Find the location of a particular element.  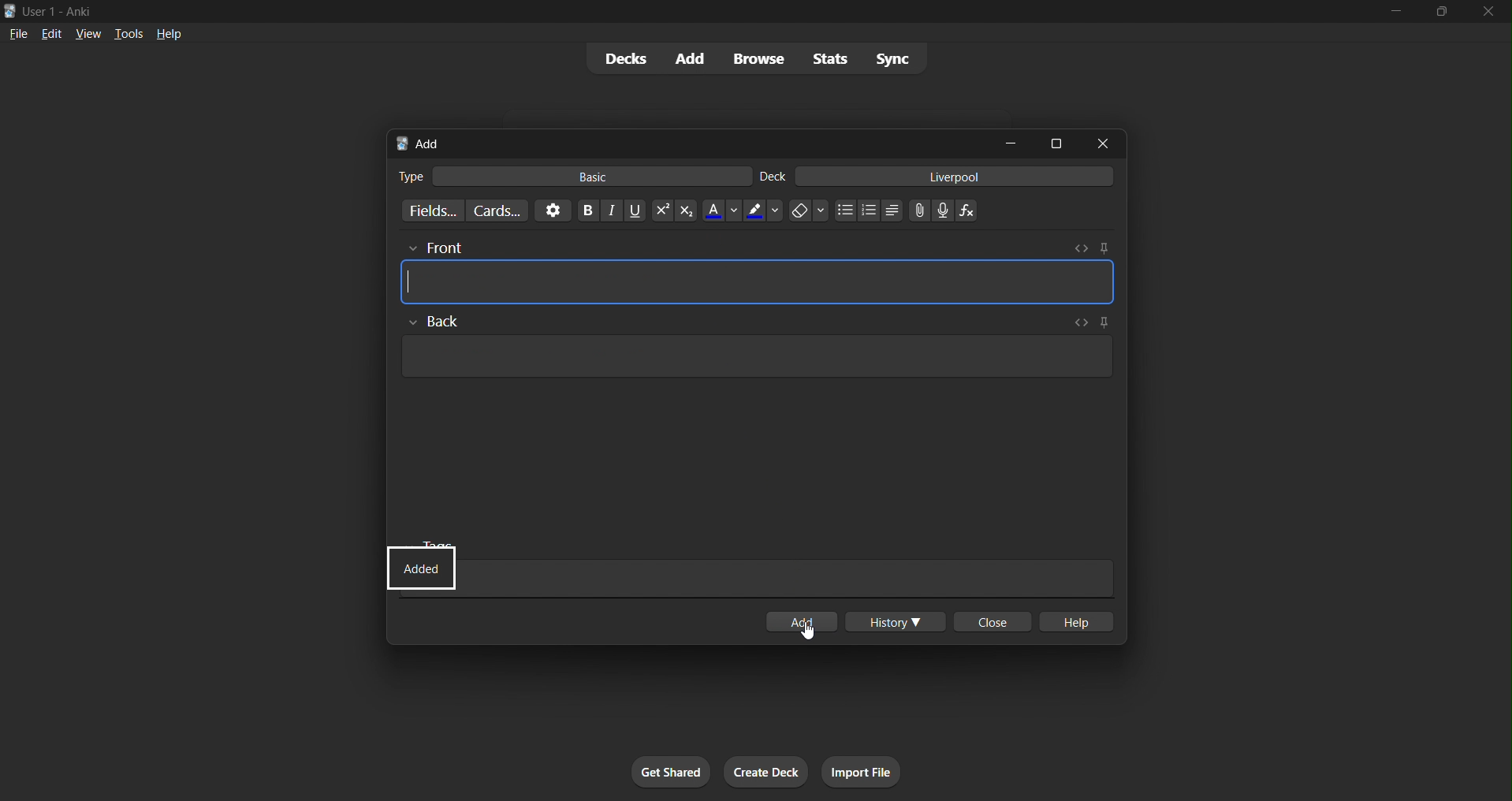

sub script is located at coordinates (685, 210).